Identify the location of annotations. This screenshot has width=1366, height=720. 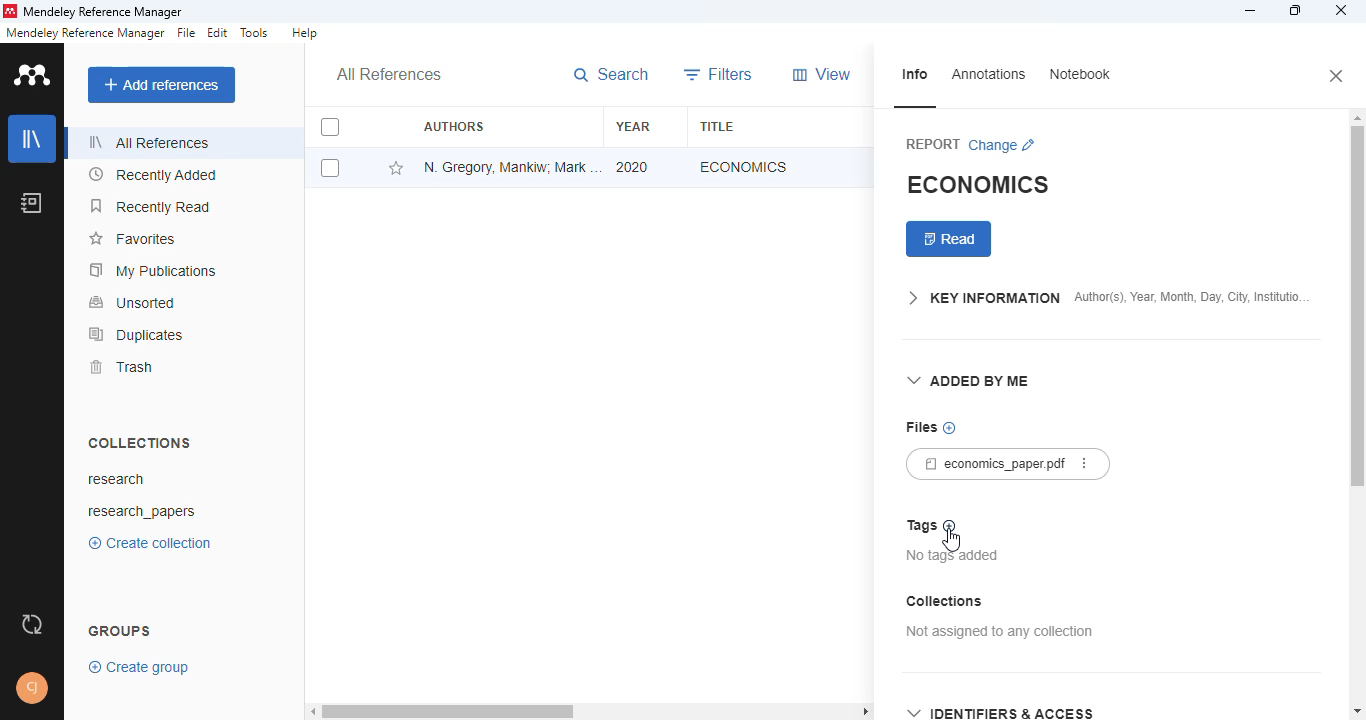
(989, 75).